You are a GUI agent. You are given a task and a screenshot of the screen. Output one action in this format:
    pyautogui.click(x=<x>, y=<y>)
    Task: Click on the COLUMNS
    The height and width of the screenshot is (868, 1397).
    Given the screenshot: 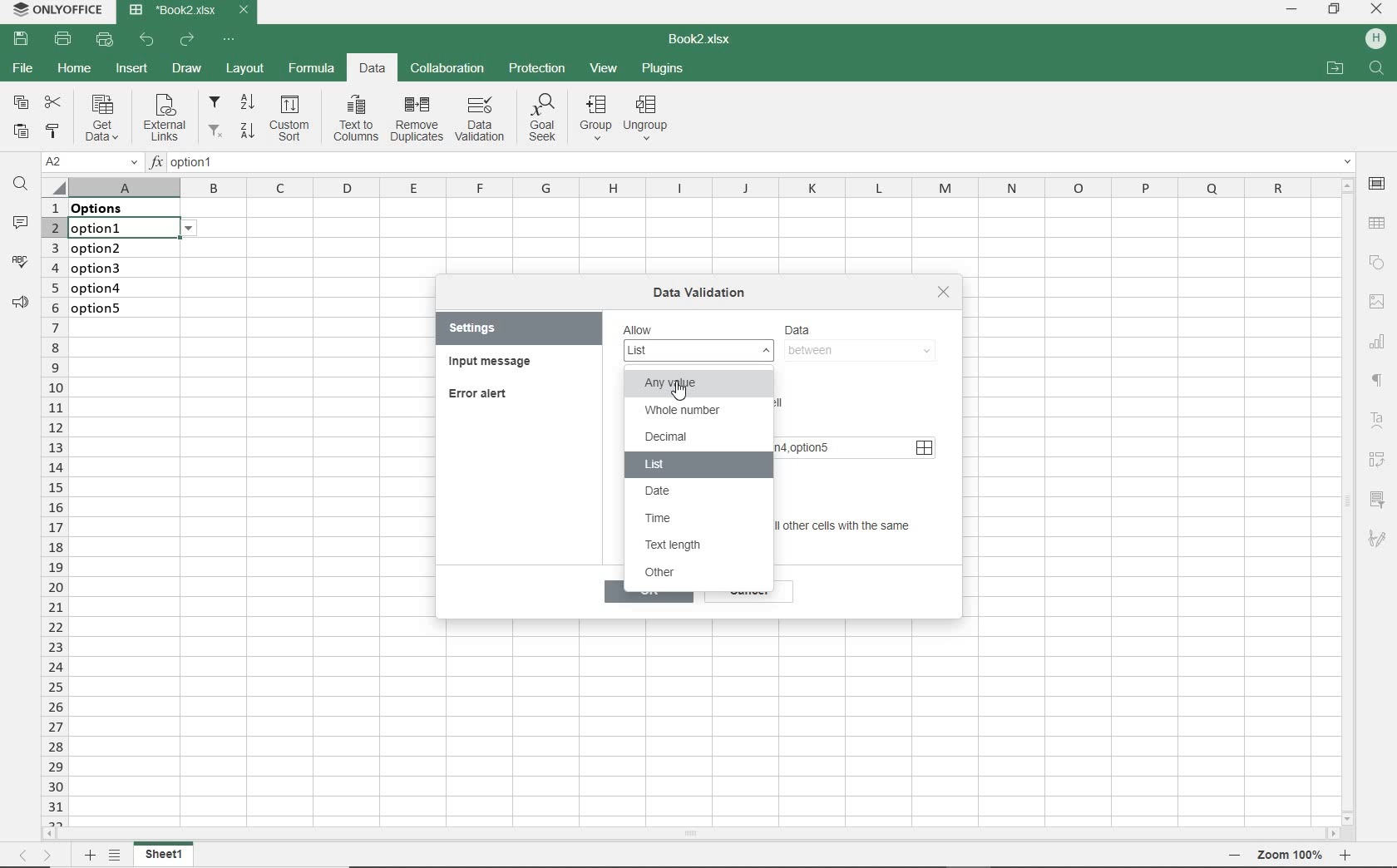 What is the action you would take?
    pyautogui.click(x=700, y=186)
    